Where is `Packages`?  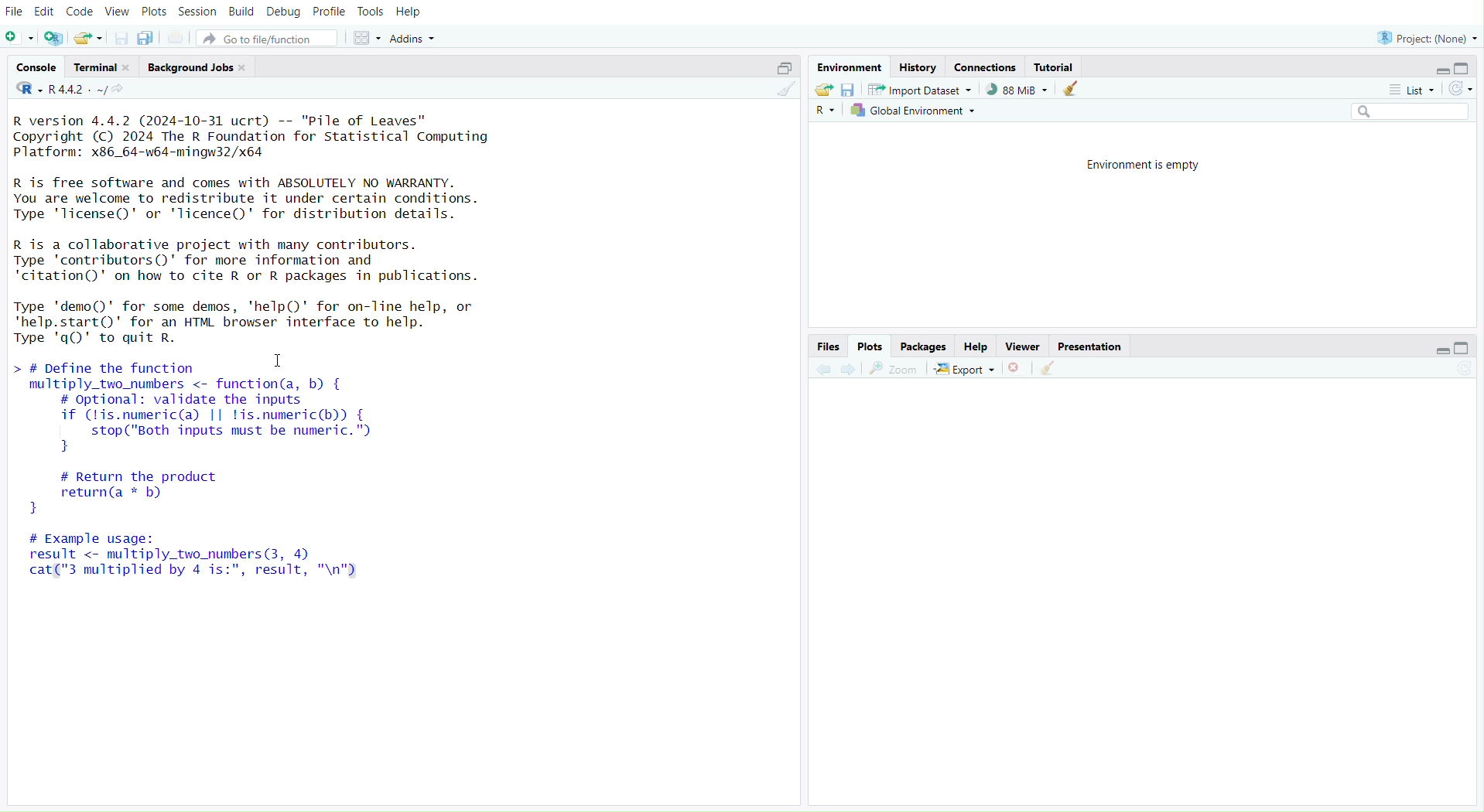 Packages is located at coordinates (923, 347).